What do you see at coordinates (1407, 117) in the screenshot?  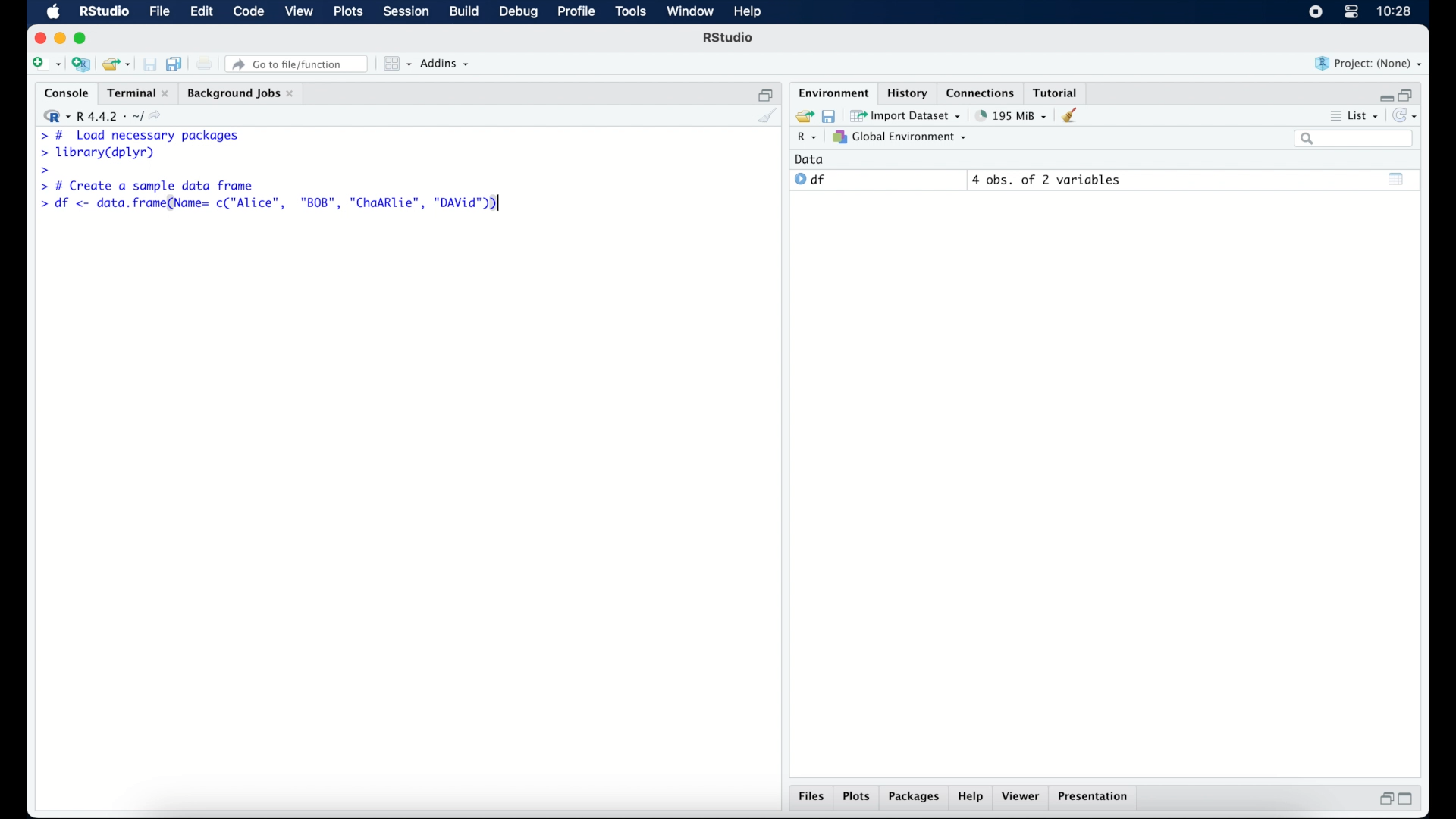 I see `refresh` at bounding box center [1407, 117].